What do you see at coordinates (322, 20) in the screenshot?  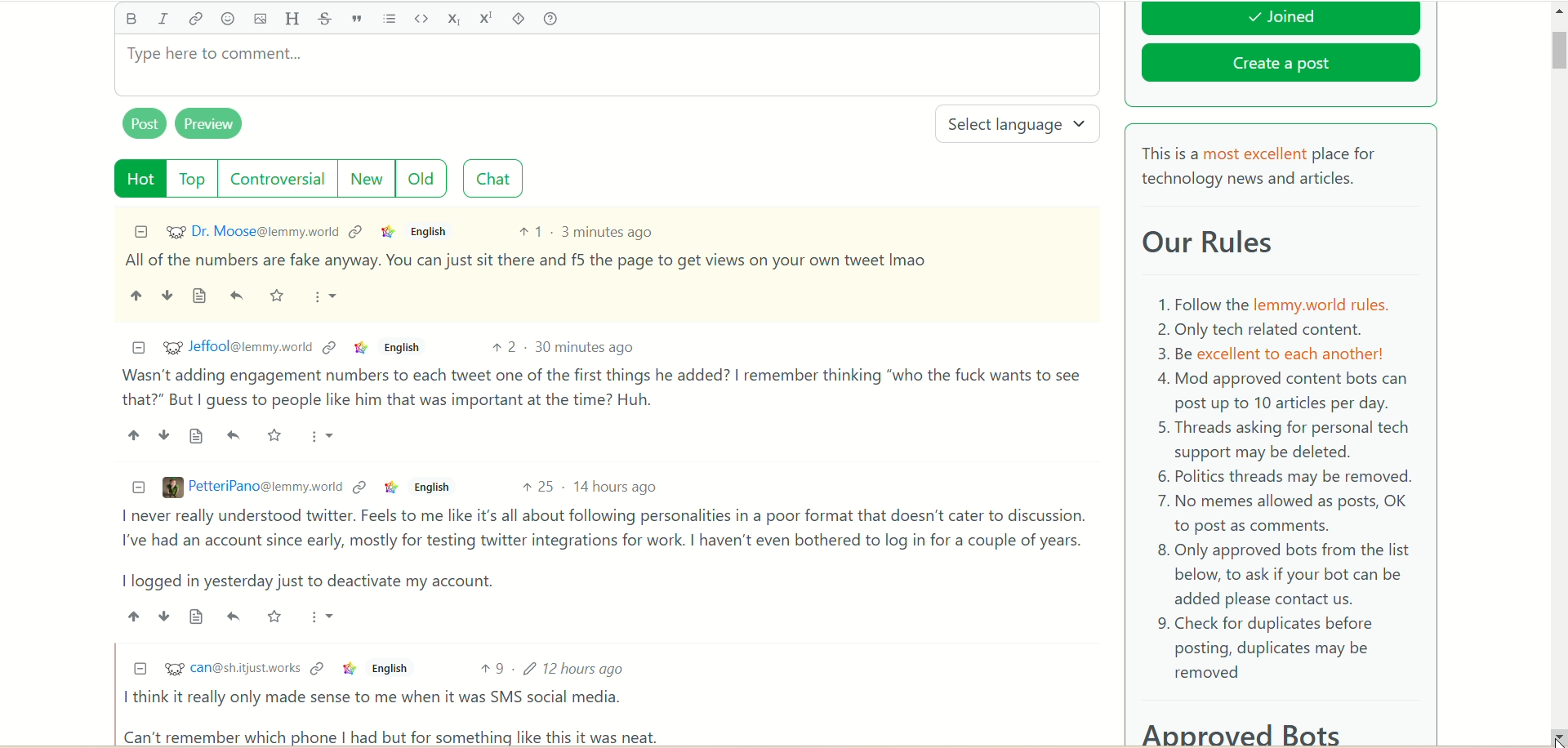 I see `strikethrough` at bounding box center [322, 20].